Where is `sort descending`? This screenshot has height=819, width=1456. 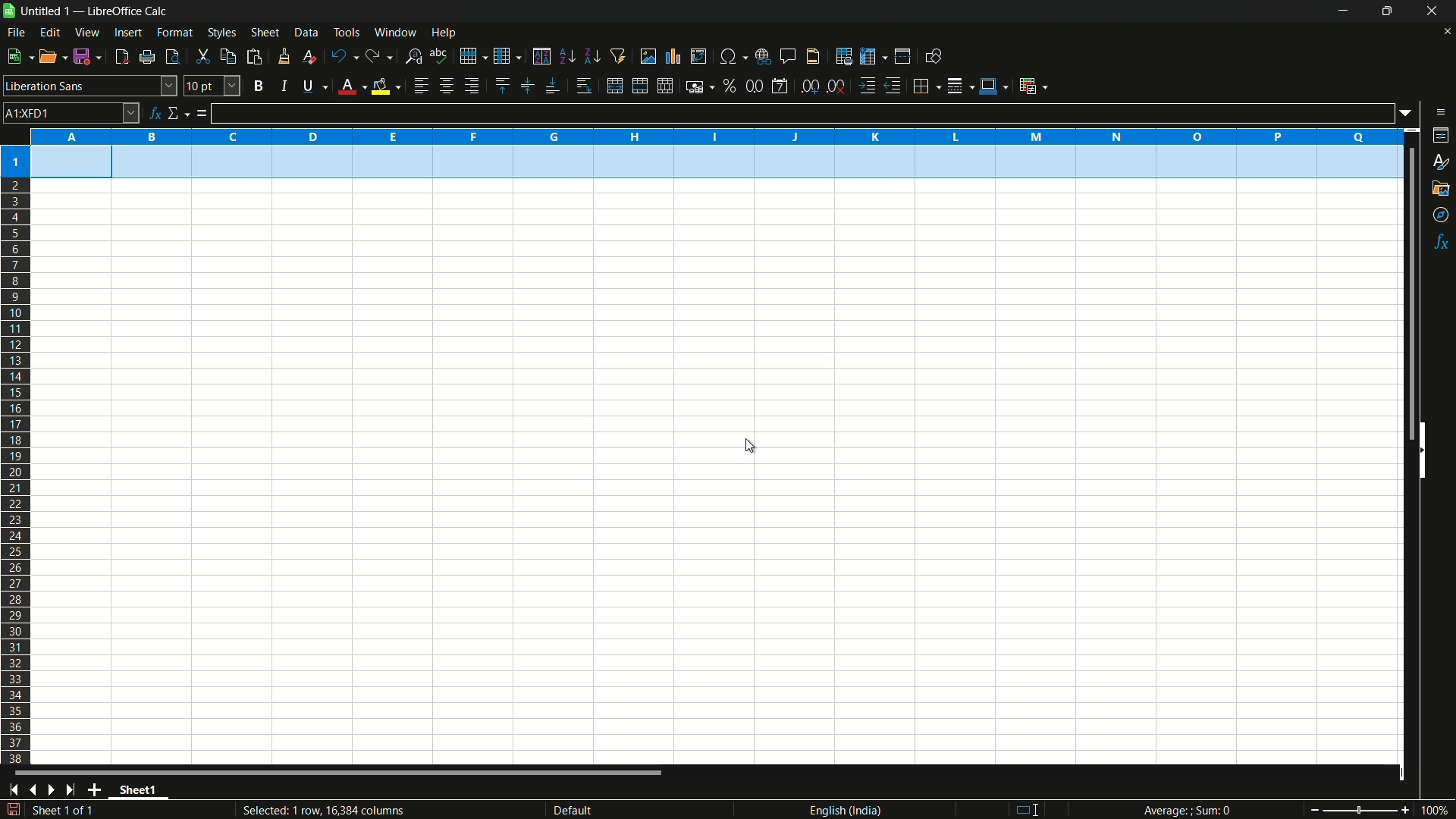
sort descending is located at coordinates (591, 56).